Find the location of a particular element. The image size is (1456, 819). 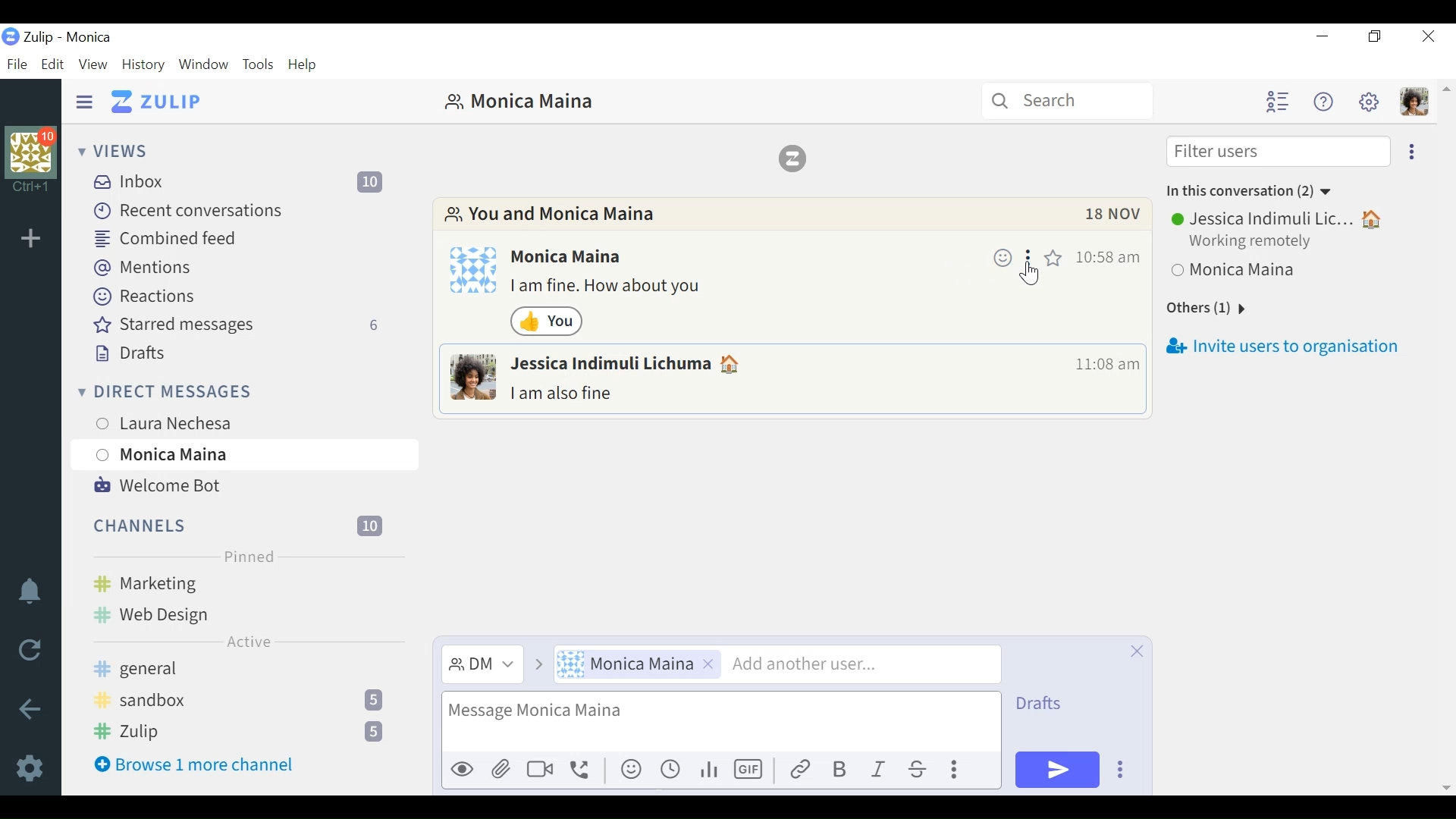

Personal menu is located at coordinates (1413, 102).